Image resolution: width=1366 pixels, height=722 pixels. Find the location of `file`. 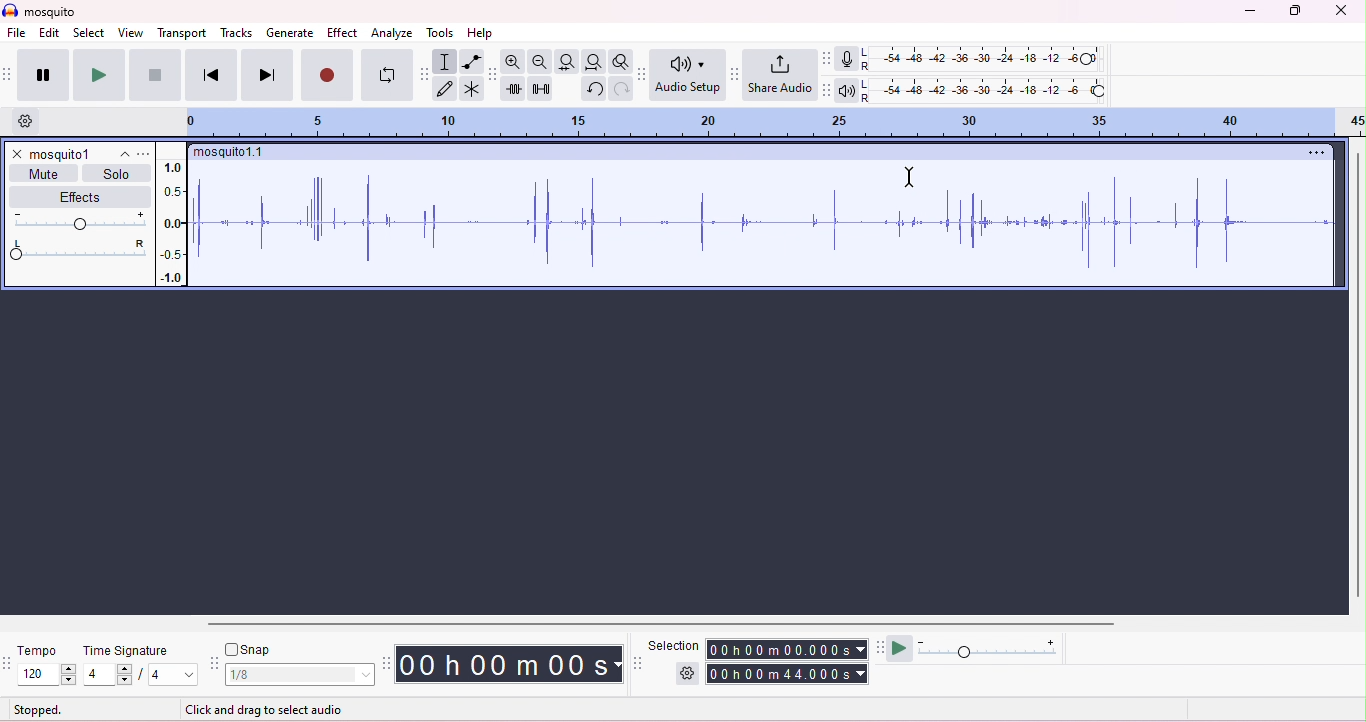

file is located at coordinates (17, 34).